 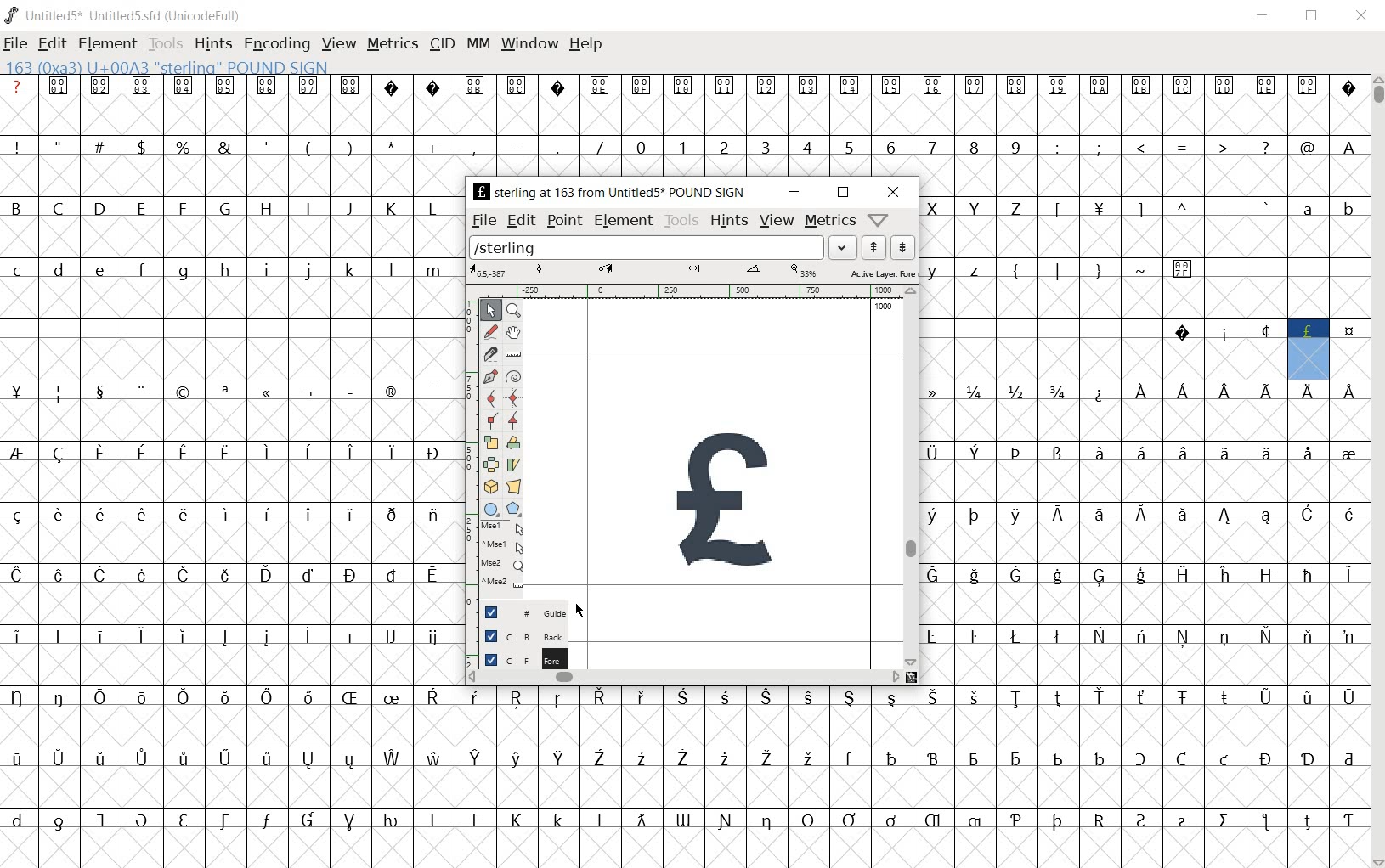 What do you see at coordinates (20, 759) in the screenshot?
I see `Symbol` at bounding box center [20, 759].